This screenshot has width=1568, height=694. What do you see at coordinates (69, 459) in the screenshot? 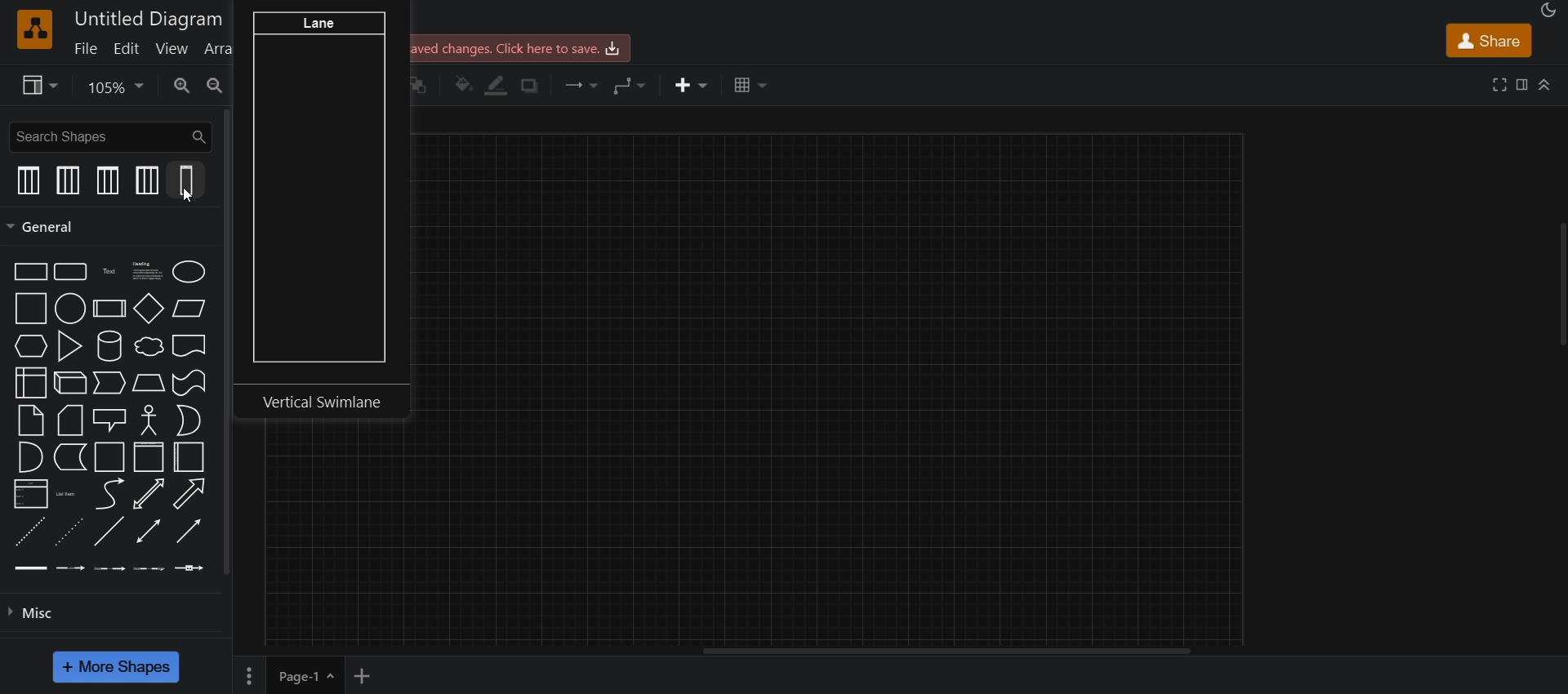
I see `data storage` at bounding box center [69, 459].